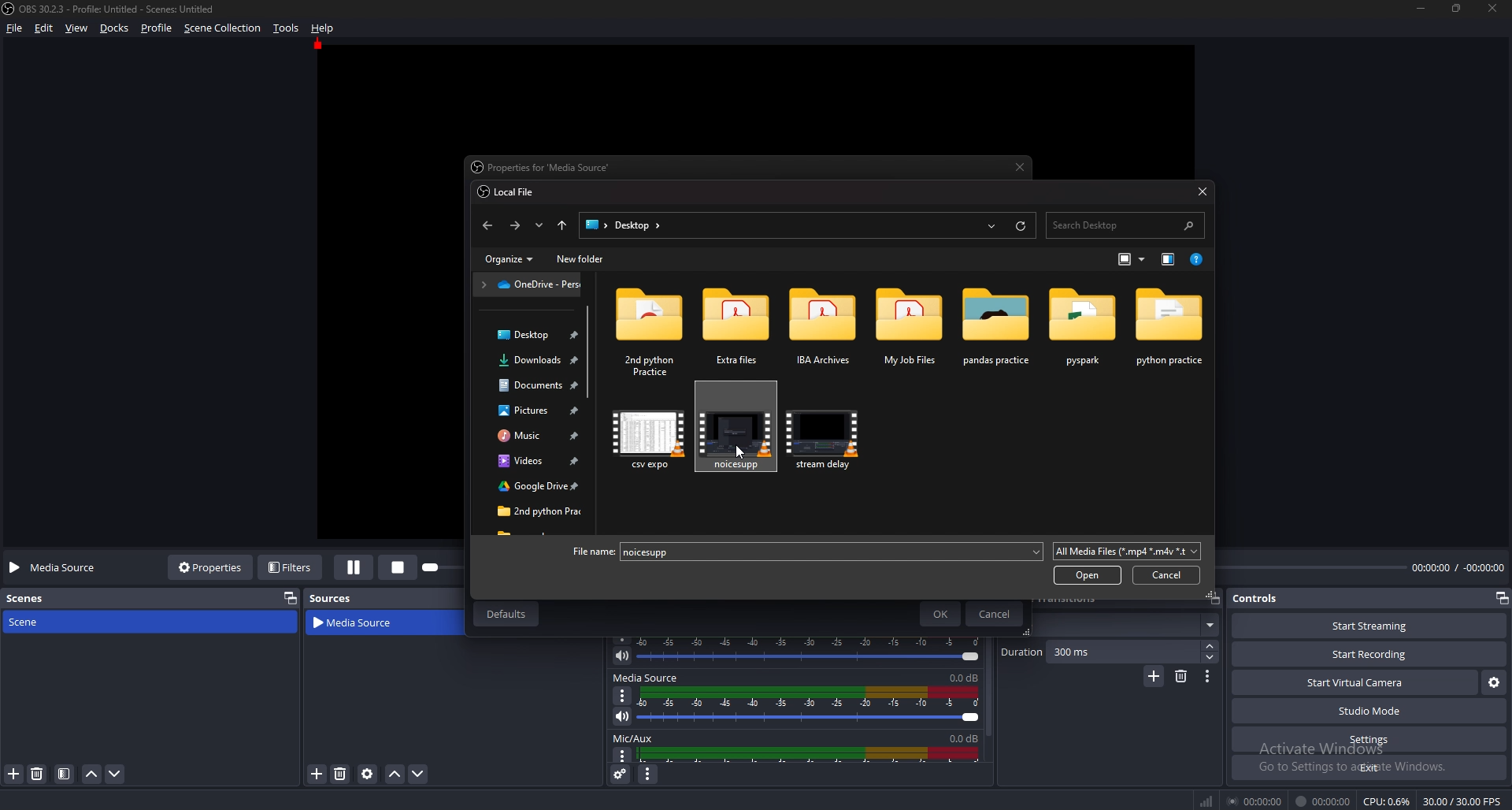  Describe the element at coordinates (1084, 326) in the screenshot. I see `folder` at that location.